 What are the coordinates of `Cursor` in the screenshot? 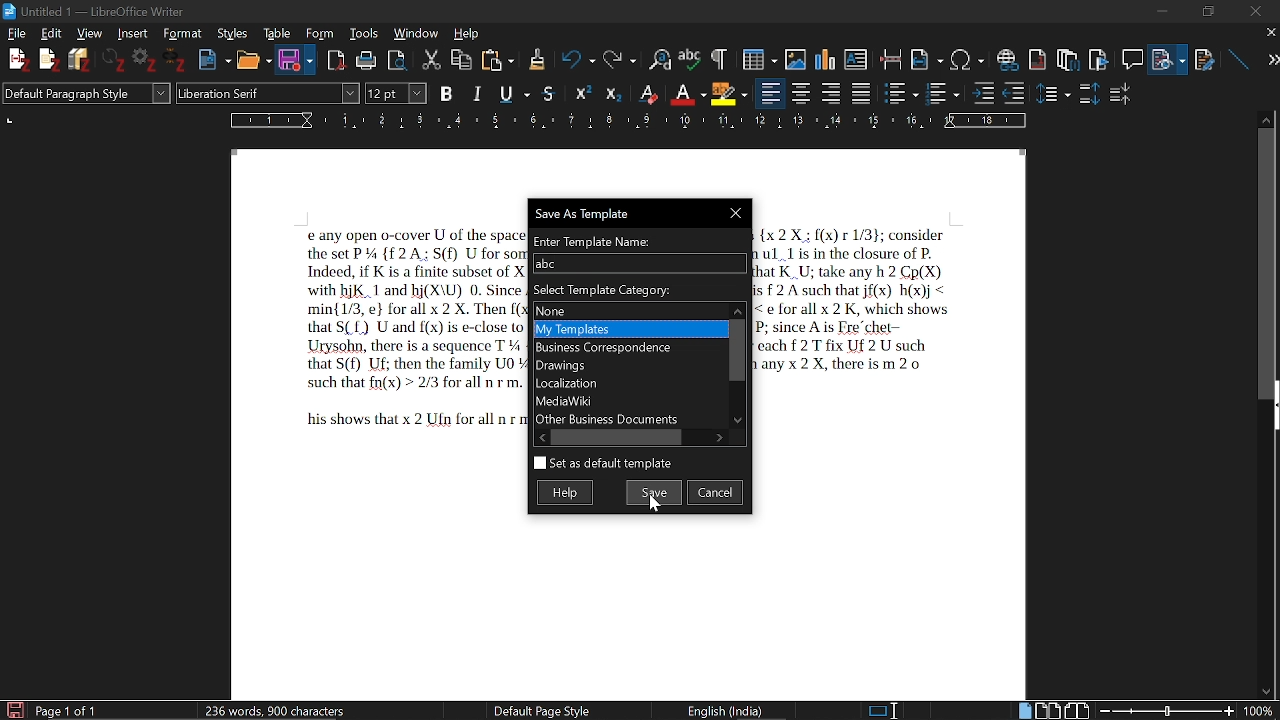 It's located at (658, 503).